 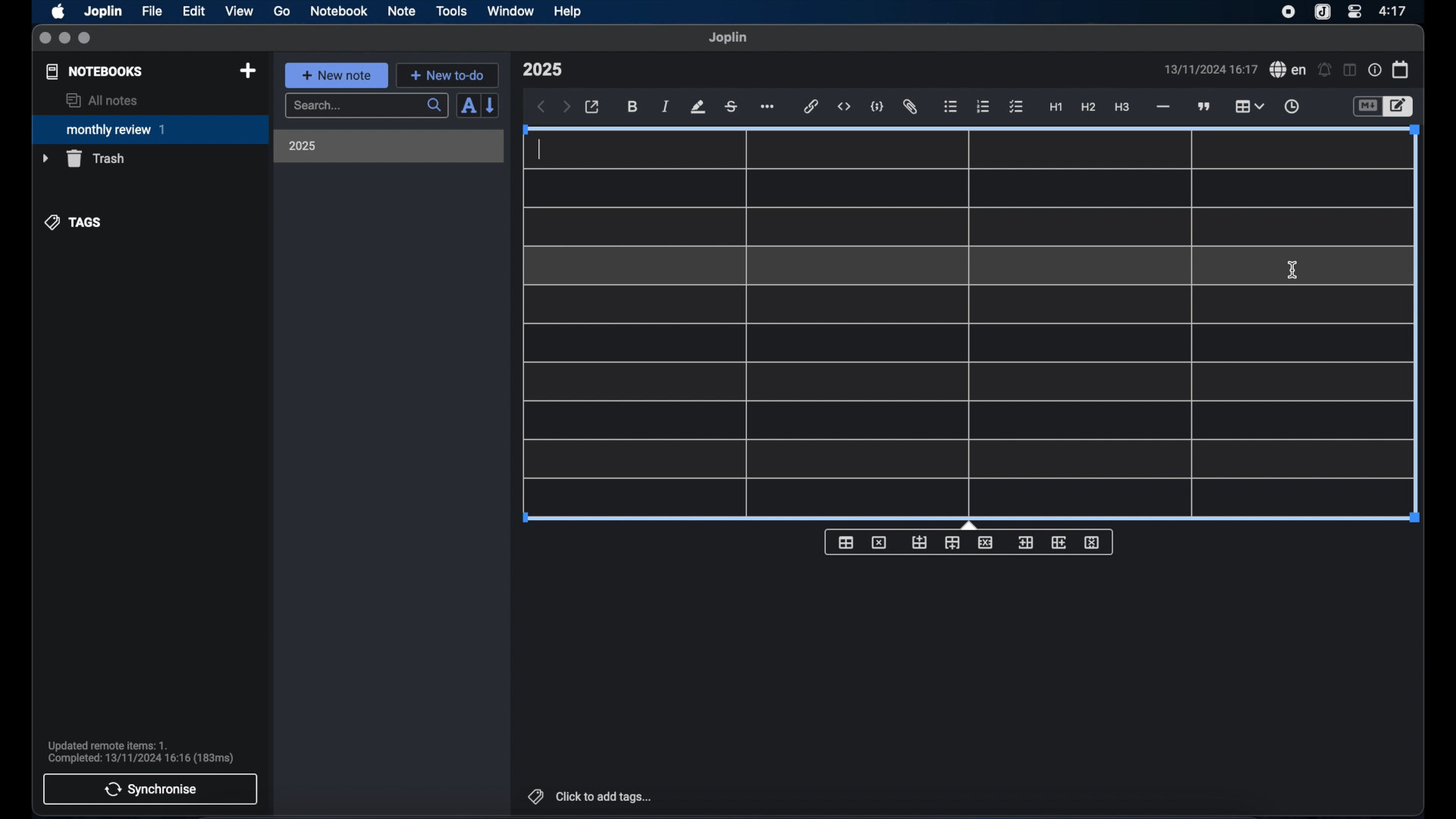 I want to click on attach file, so click(x=910, y=107).